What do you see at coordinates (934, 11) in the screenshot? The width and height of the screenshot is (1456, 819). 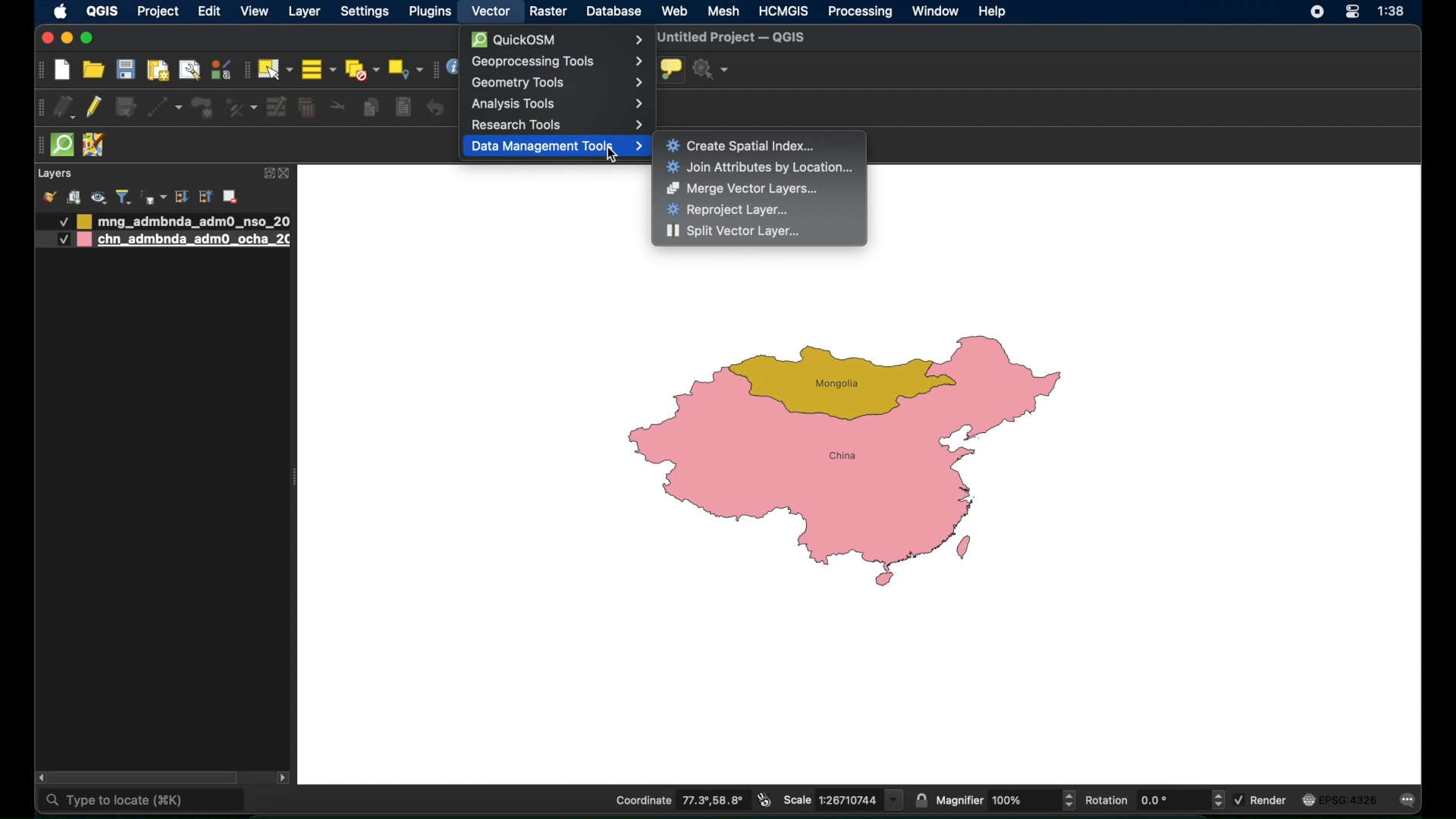 I see `window` at bounding box center [934, 11].